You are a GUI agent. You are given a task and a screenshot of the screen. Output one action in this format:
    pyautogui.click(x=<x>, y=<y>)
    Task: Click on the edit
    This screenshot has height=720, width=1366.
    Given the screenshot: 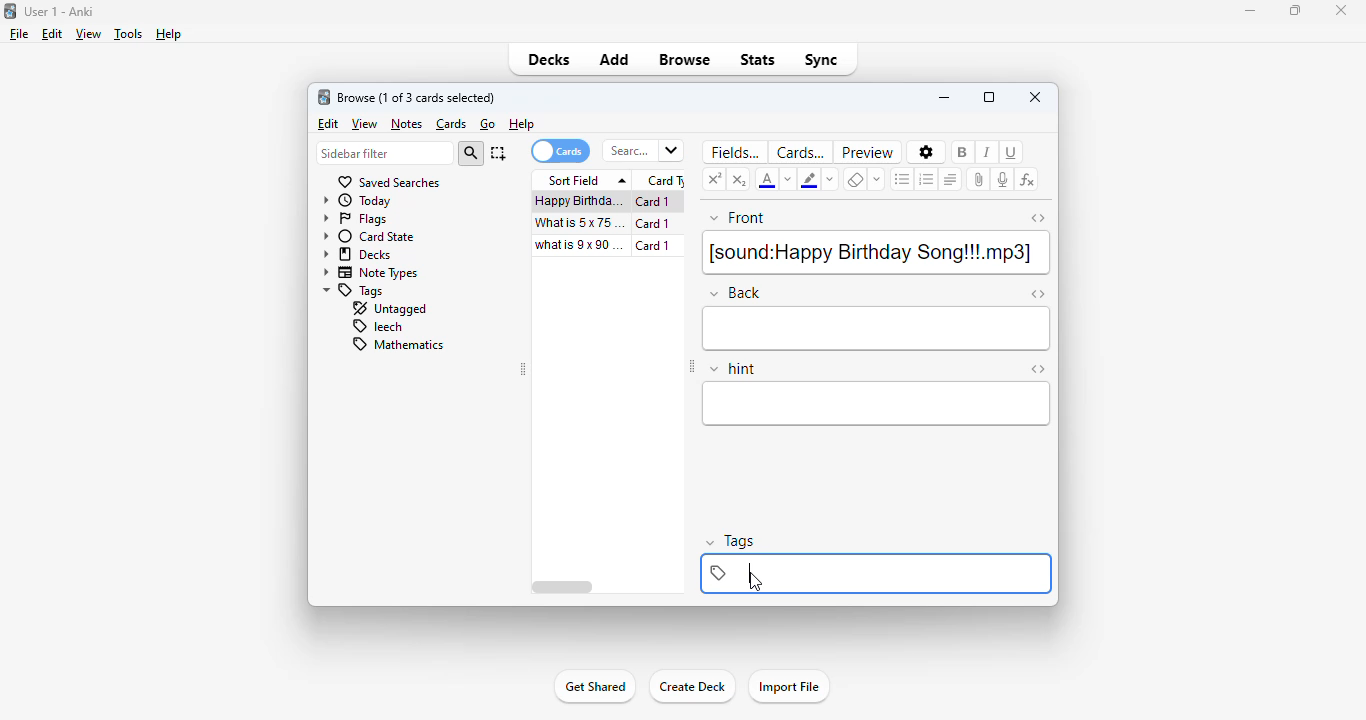 What is the action you would take?
    pyautogui.click(x=328, y=125)
    